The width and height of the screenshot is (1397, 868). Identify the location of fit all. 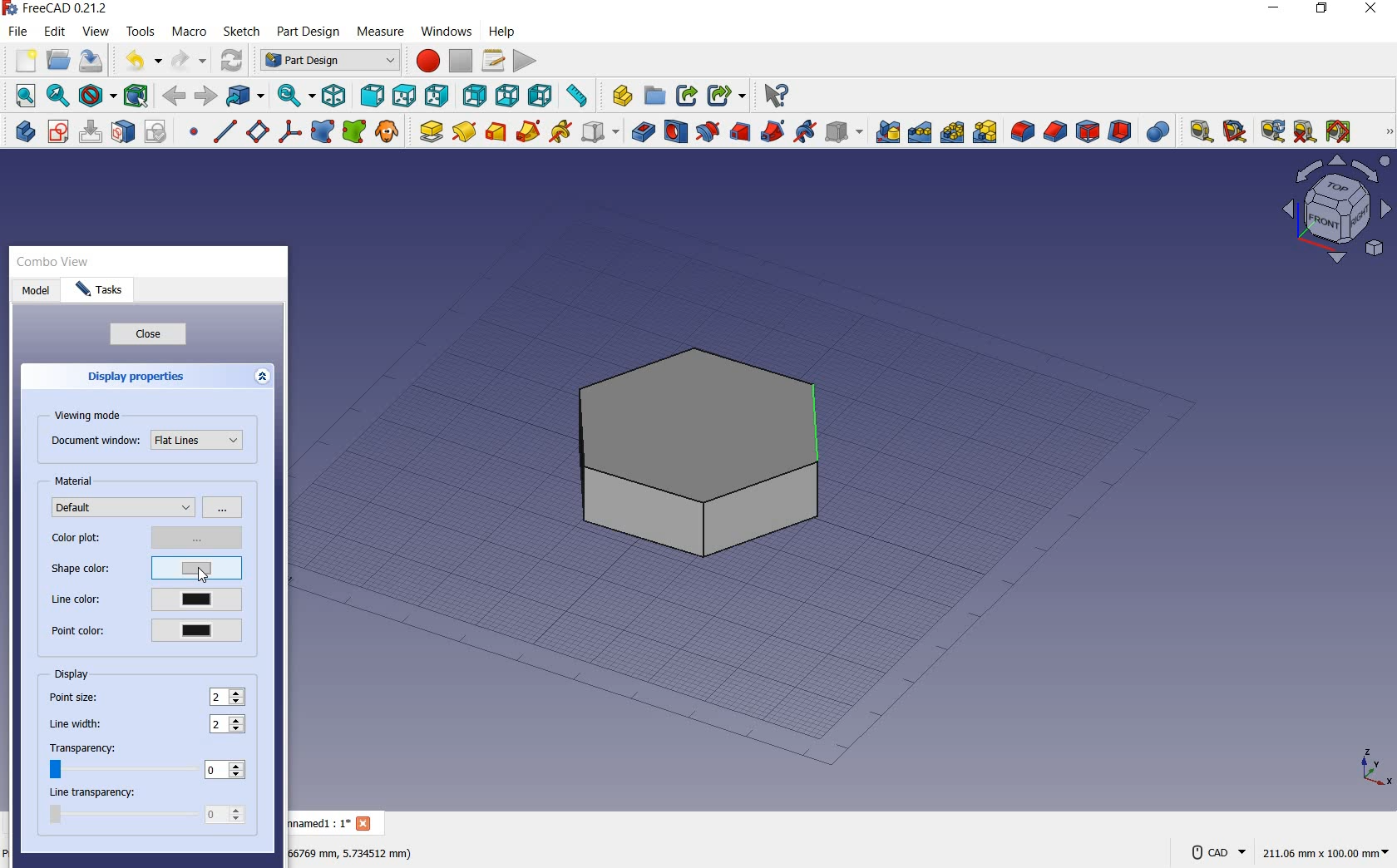
(22, 95).